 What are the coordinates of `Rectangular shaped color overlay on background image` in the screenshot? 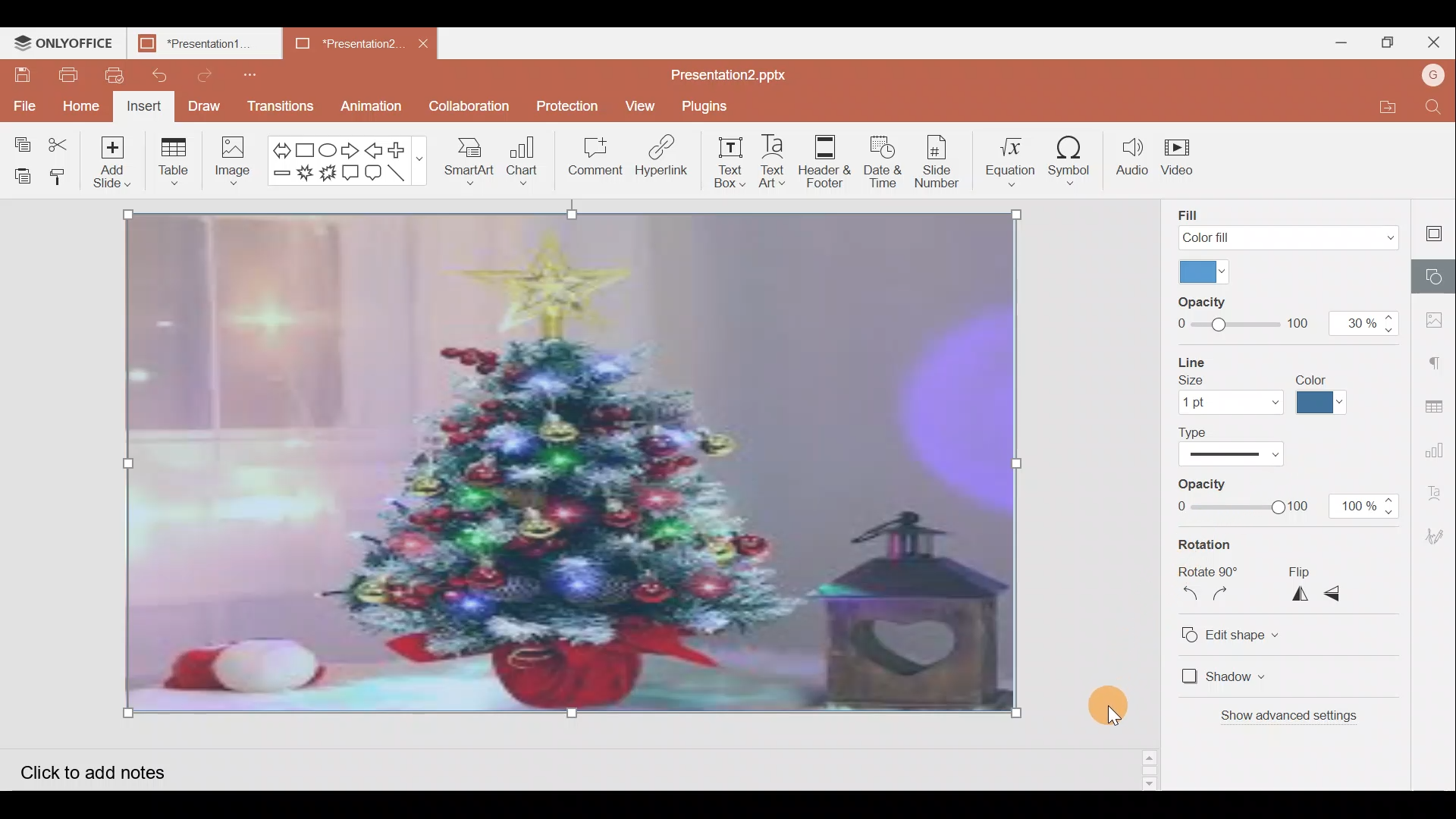 It's located at (575, 467).